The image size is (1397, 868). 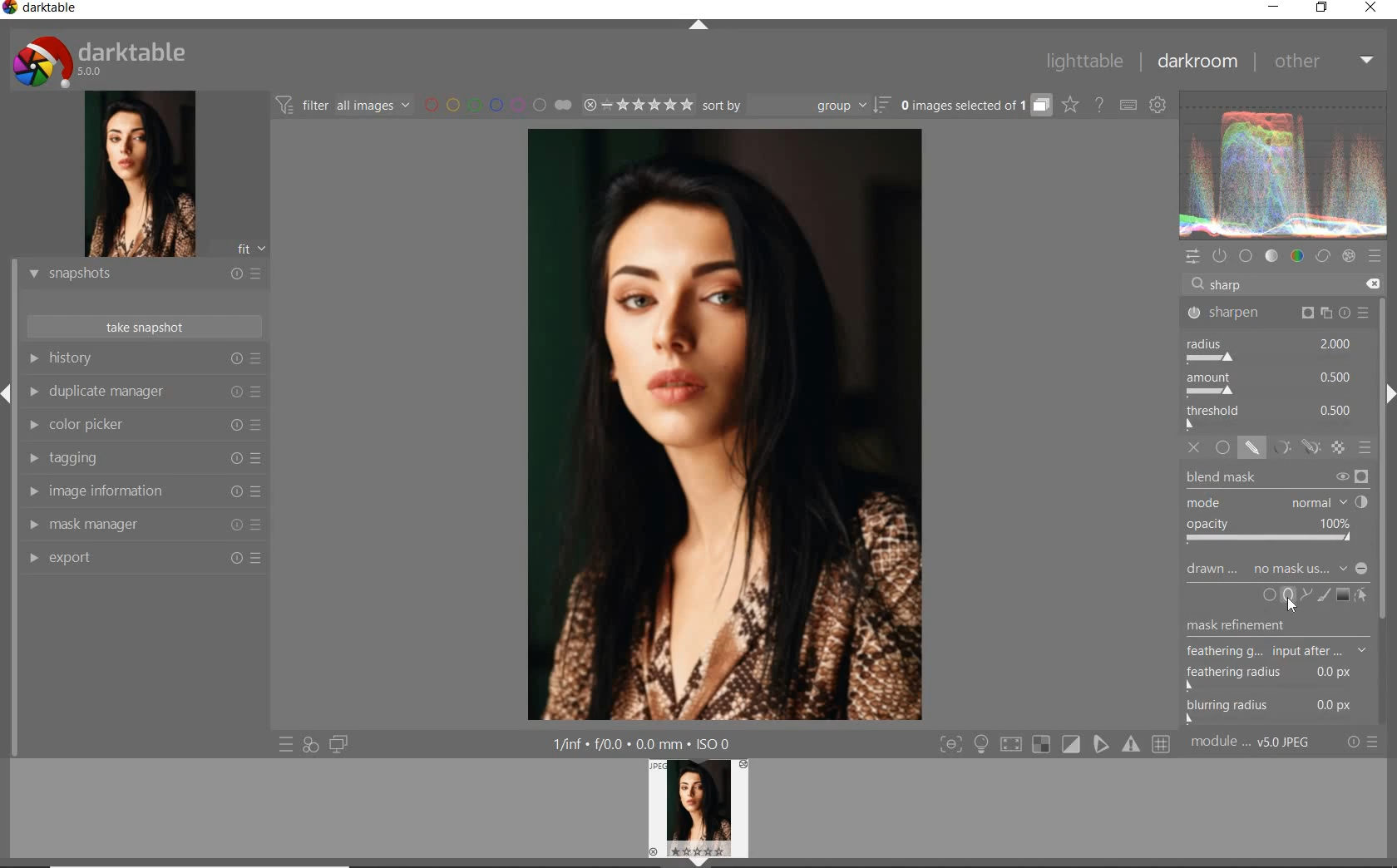 What do you see at coordinates (1271, 256) in the screenshot?
I see `tone` at bounding box center [1271, 256].